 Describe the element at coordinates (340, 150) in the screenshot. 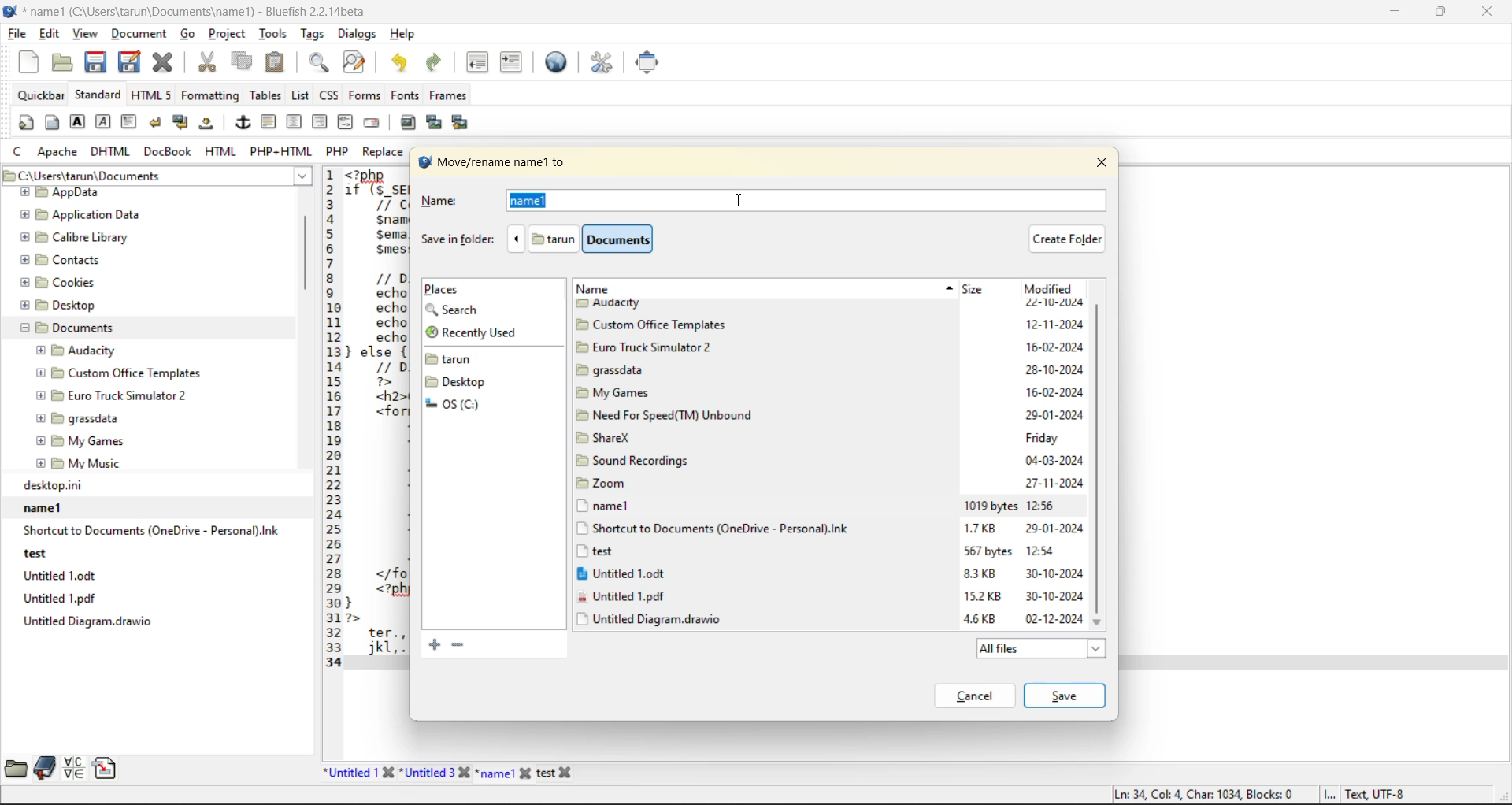

I see `php` at that location.